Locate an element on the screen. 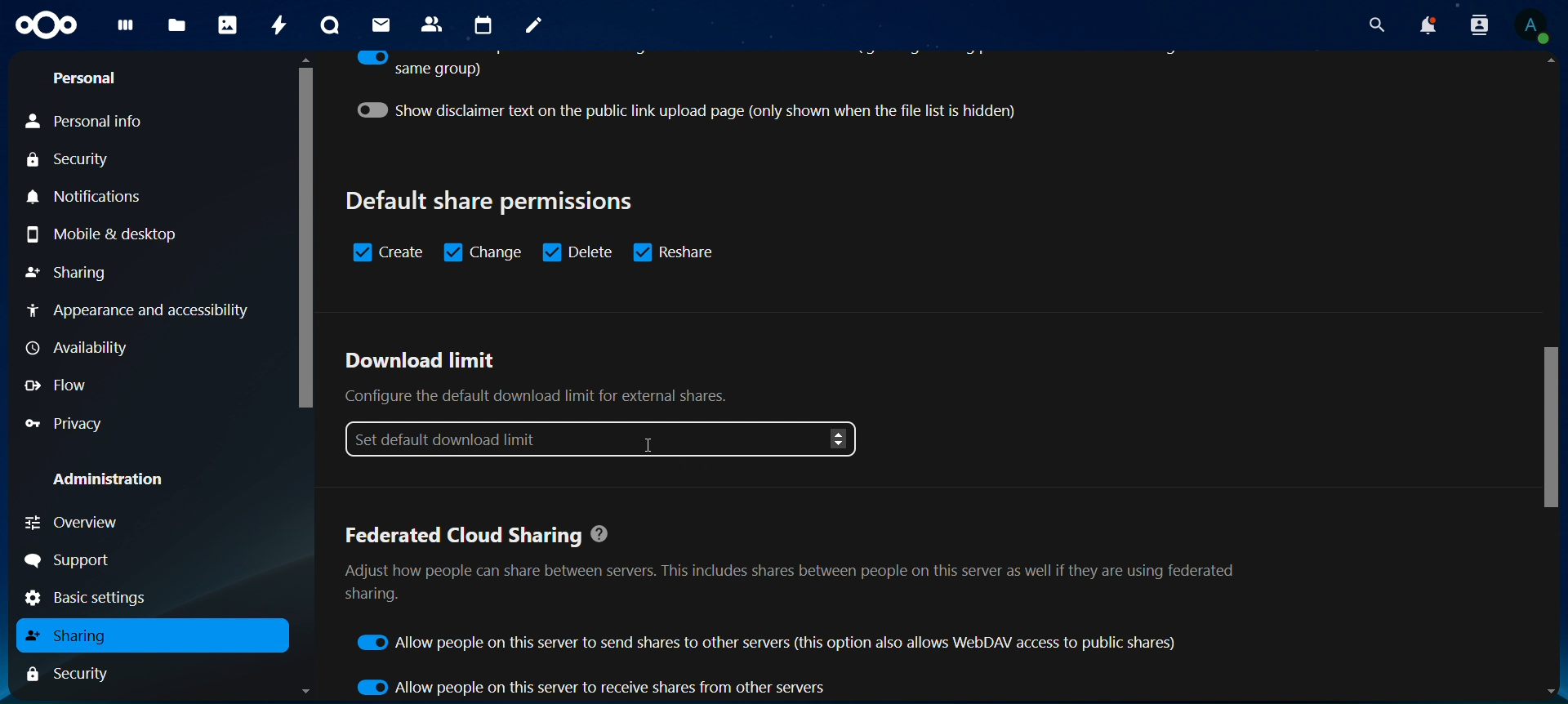 The height and width of the screenshot is (704, 1568). sharing is located at coordinates (69, 635).